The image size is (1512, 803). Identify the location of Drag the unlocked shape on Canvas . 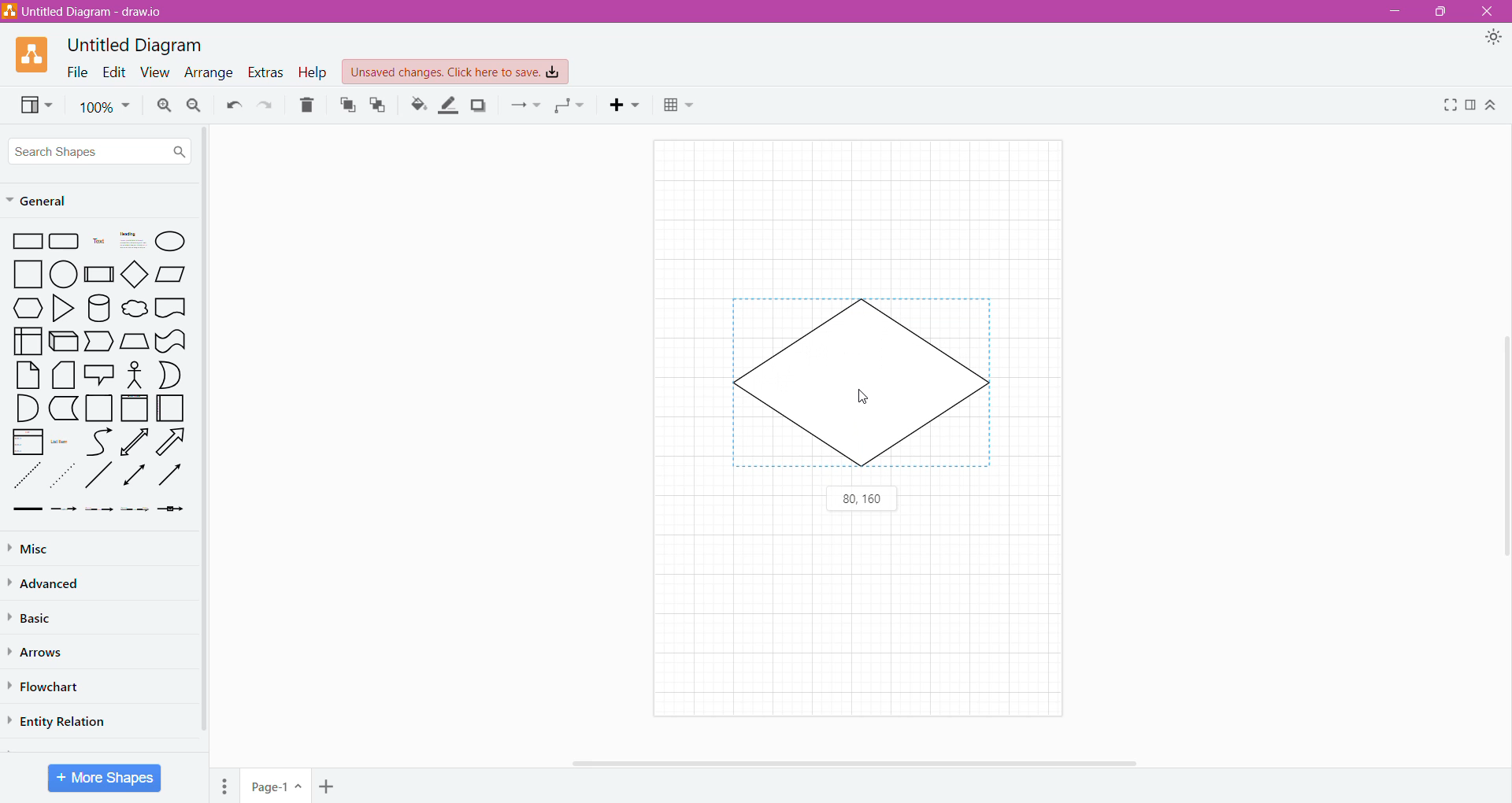
(865, 386).